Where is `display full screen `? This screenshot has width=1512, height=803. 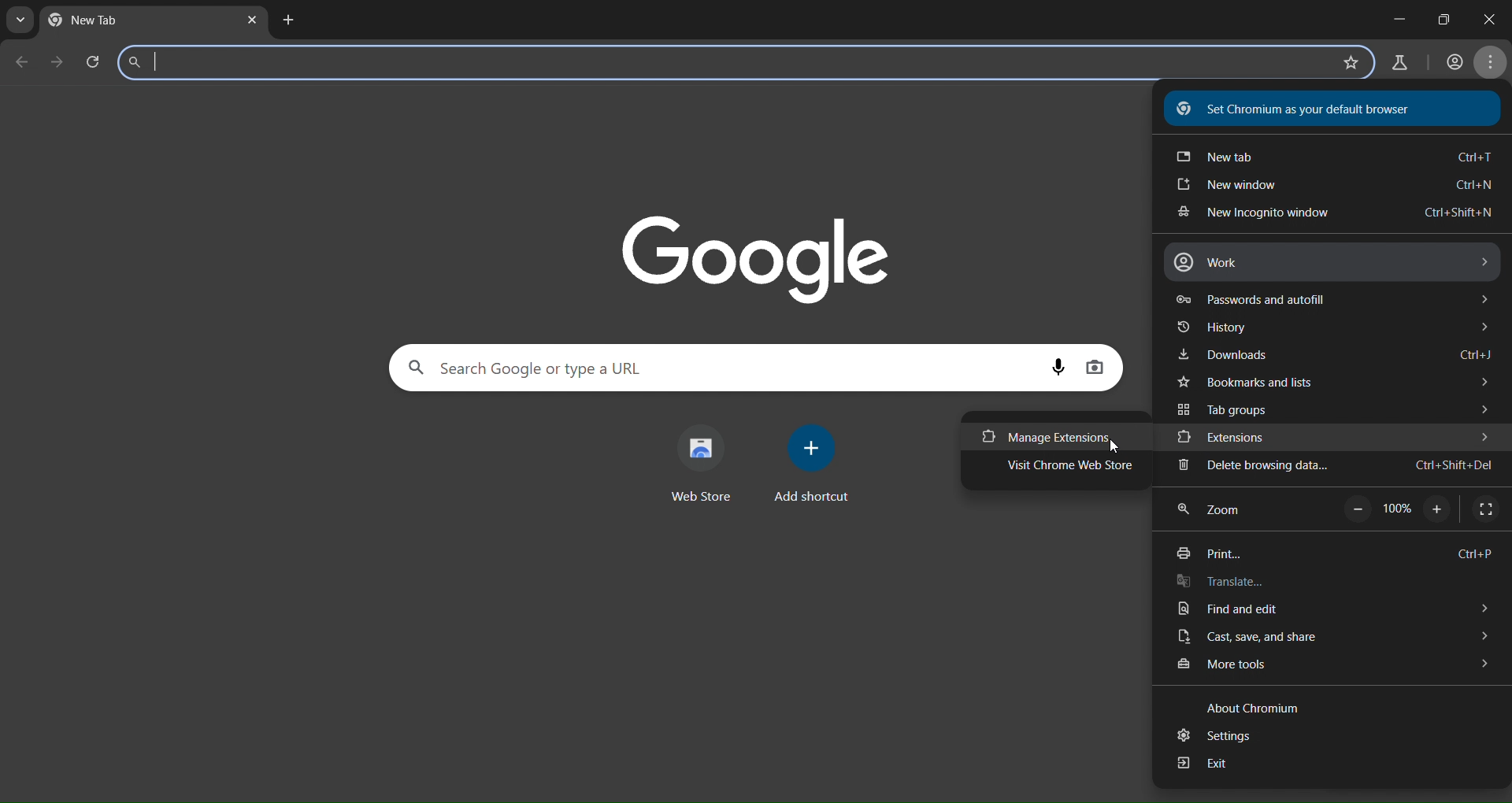 display full screen  is located at coordinates (1488, 510).